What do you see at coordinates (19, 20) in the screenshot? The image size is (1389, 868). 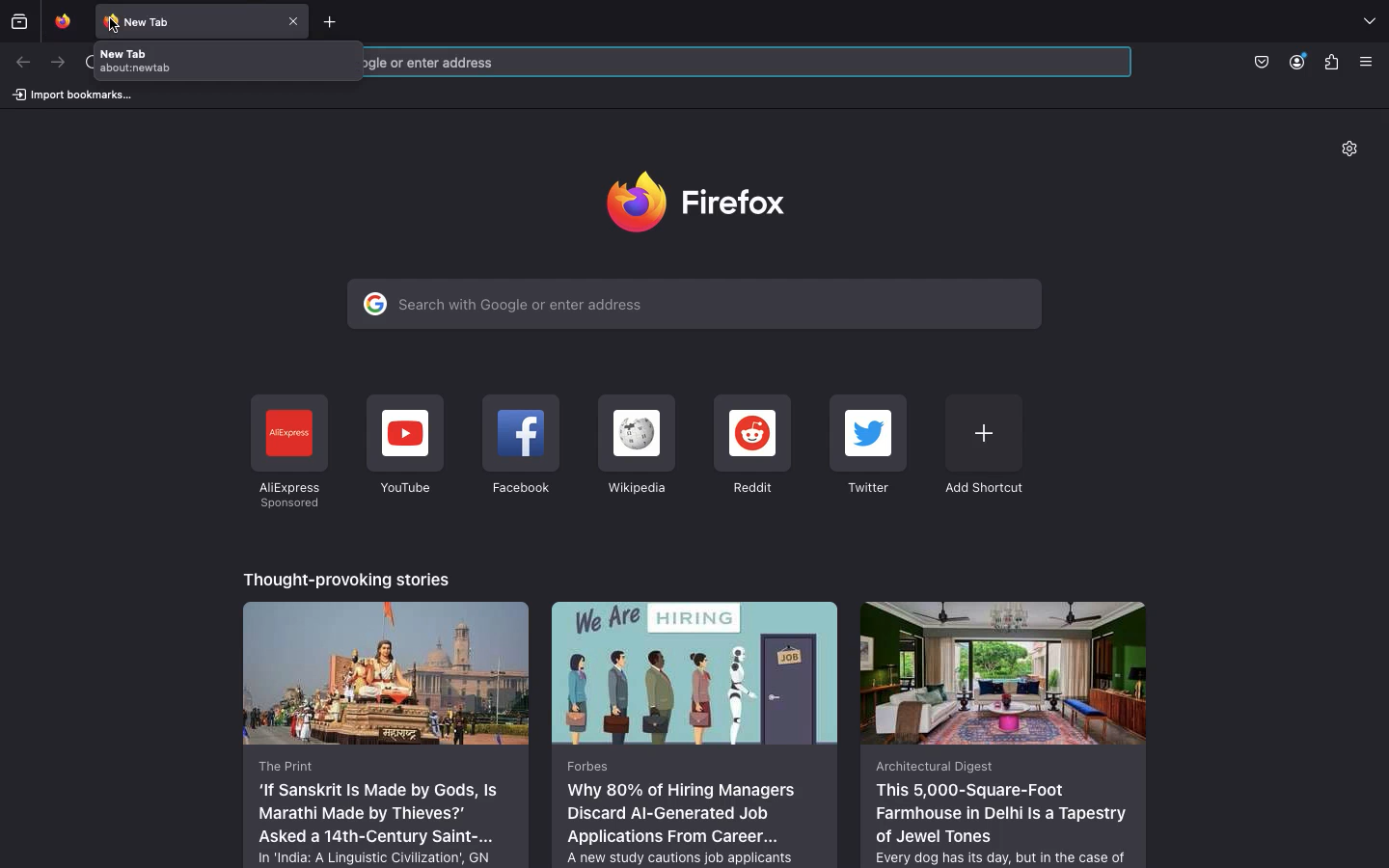 I see `View Recent` at bounding box center [19, 20].